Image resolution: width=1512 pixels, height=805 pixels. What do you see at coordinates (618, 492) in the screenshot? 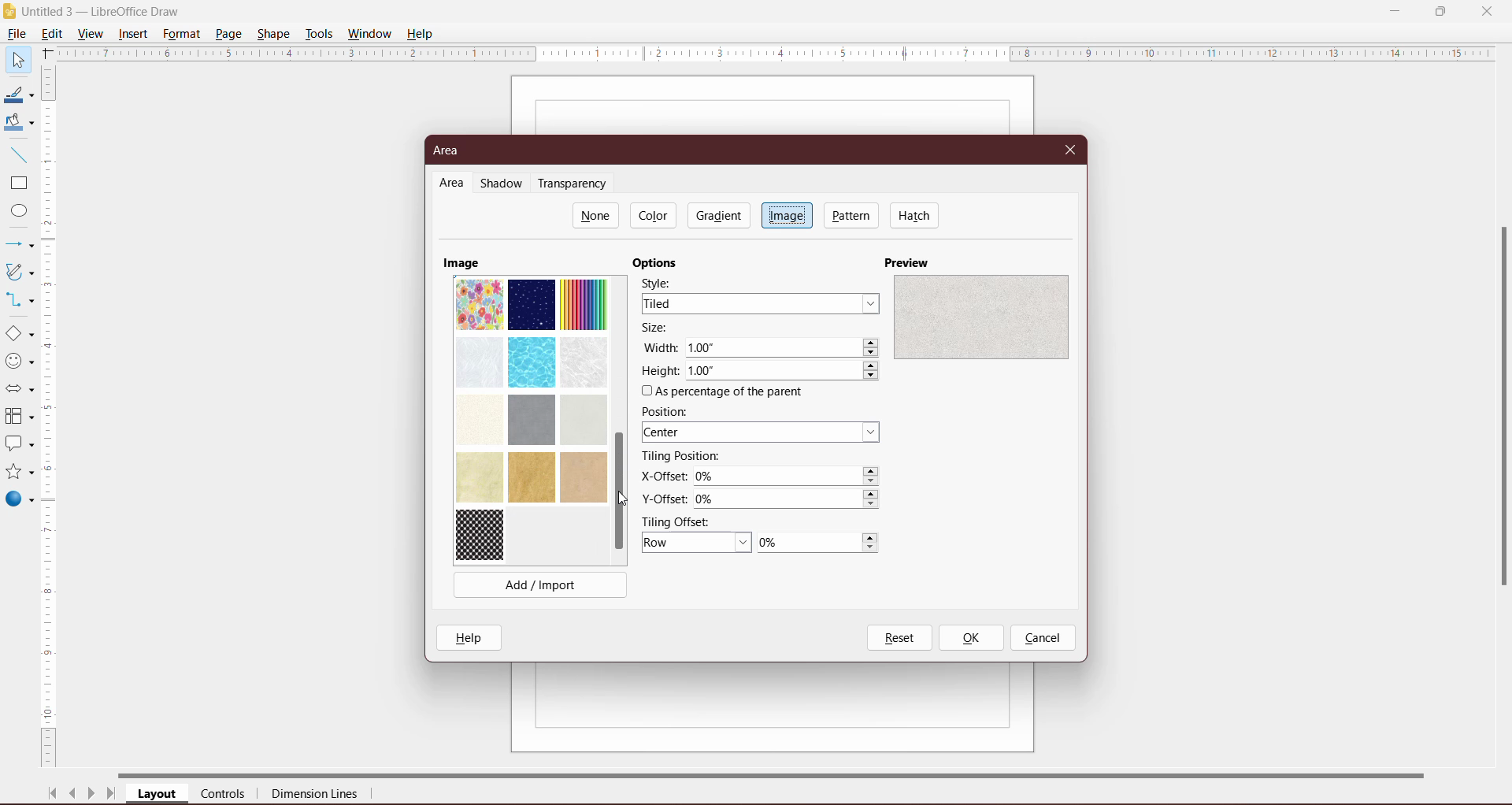
I see `Scroll Bar dragged to new position` at bounding box center [618, 492].